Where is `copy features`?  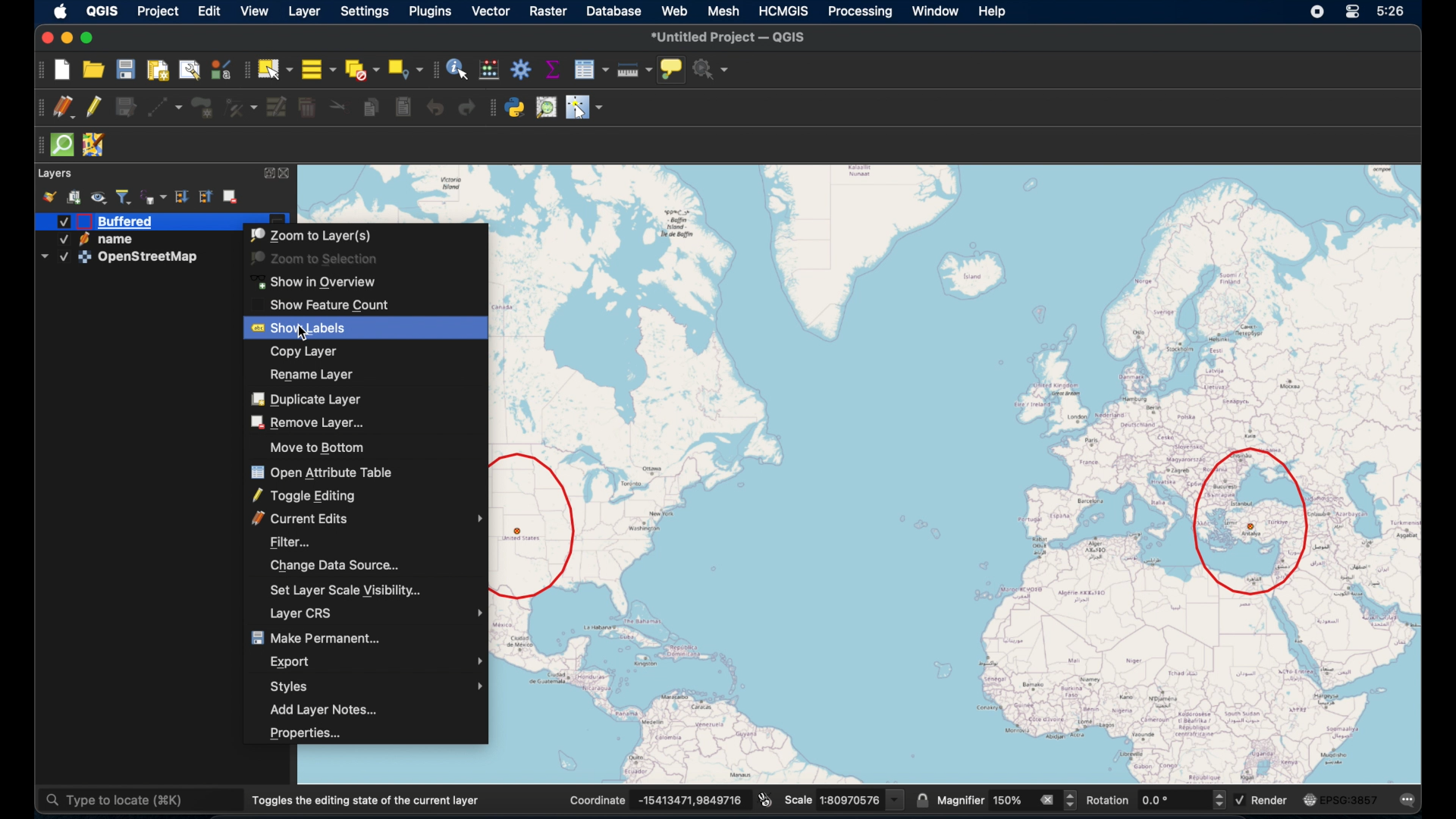
copy features is located at coordinates (371, 109).